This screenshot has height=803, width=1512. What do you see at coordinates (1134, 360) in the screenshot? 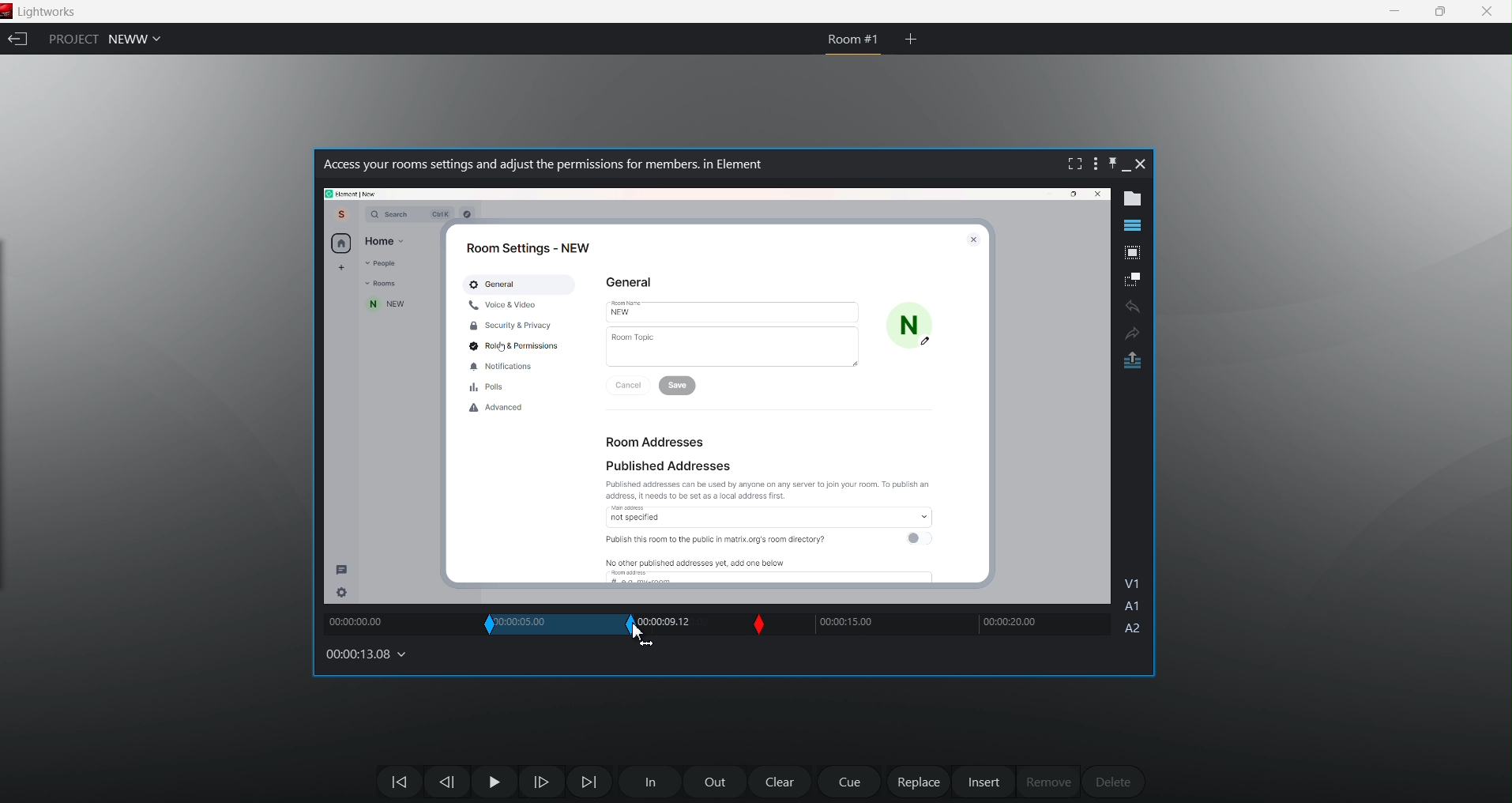
I see `pop out` at bounding box center [1134, 360].